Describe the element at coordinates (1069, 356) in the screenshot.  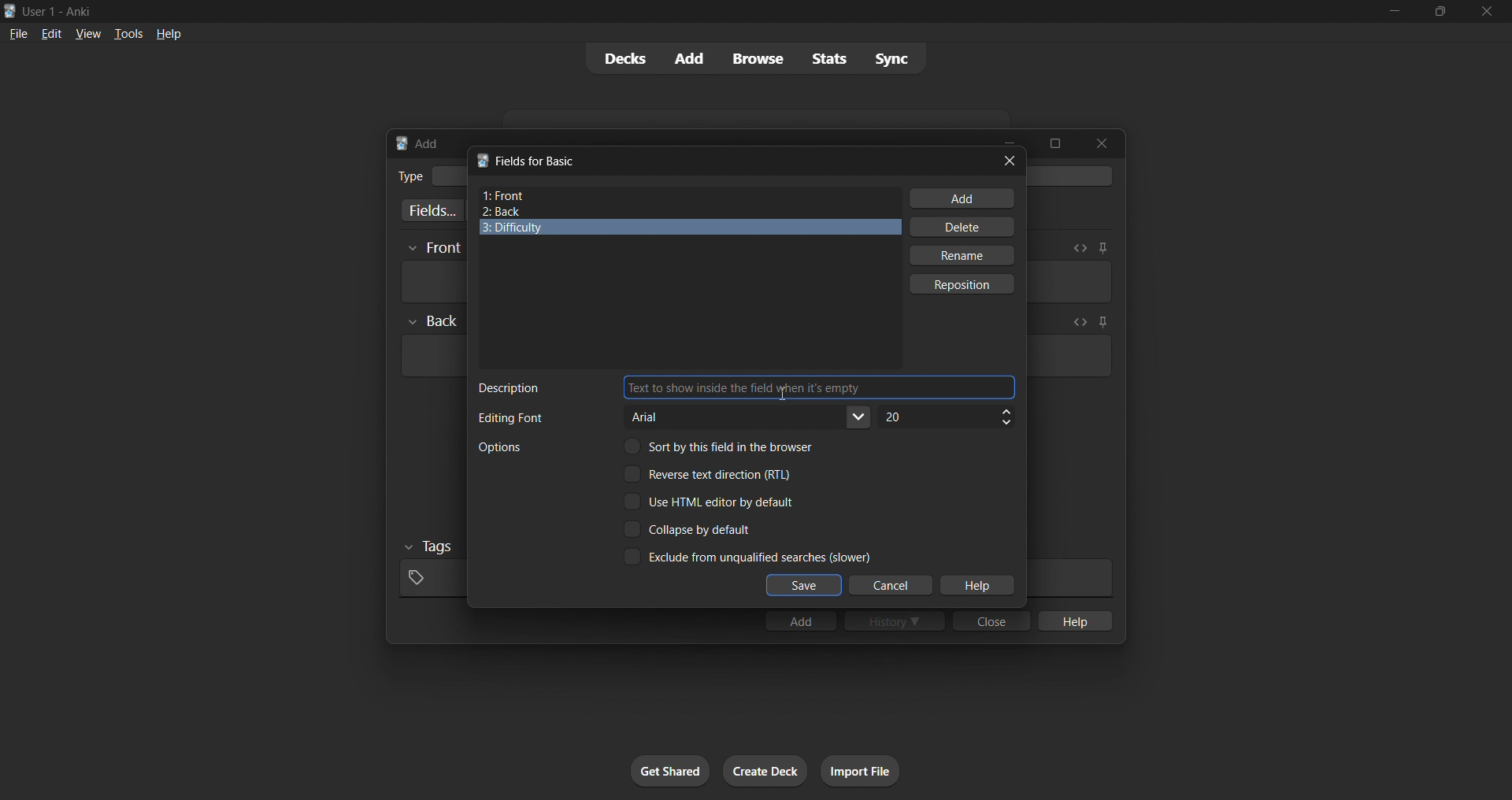
I see `Card back input` at that location.